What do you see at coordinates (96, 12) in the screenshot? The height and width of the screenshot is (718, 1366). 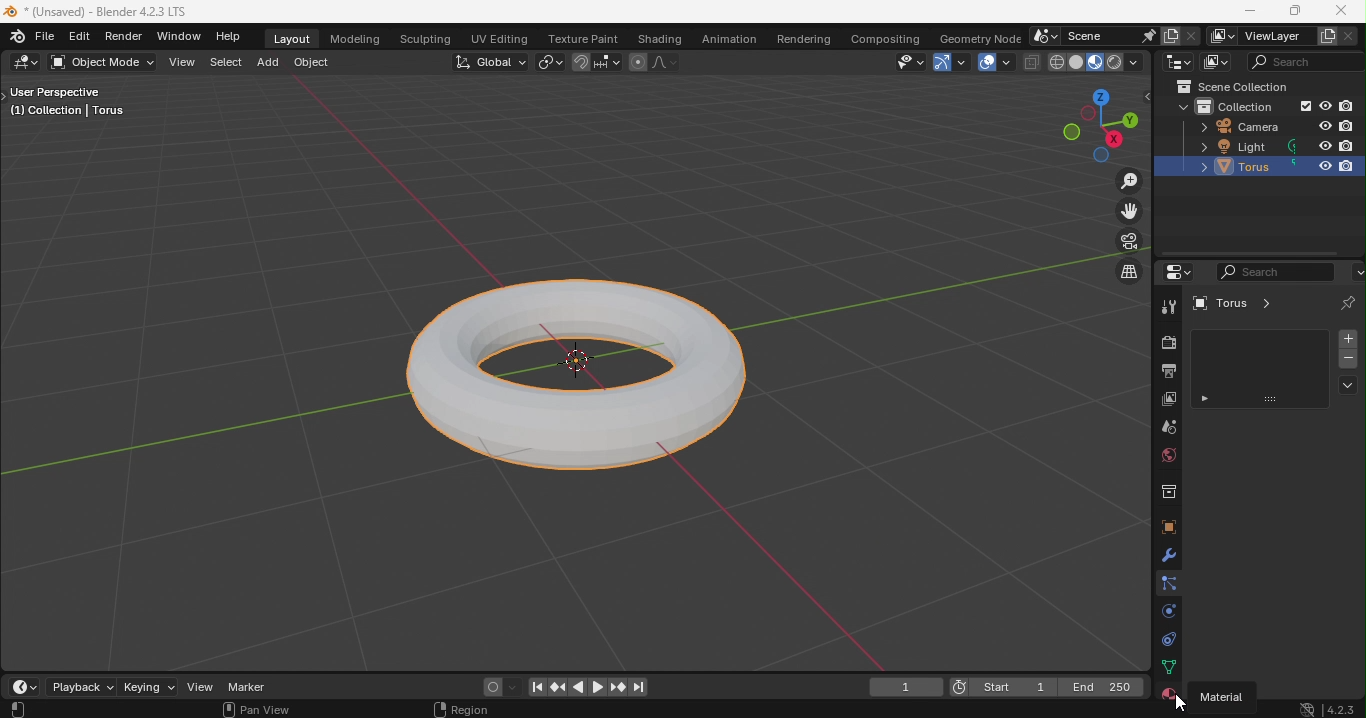 I see `*(Unsaved) - Blender 4.2.3 LTS` at bounding box center [96, 12].